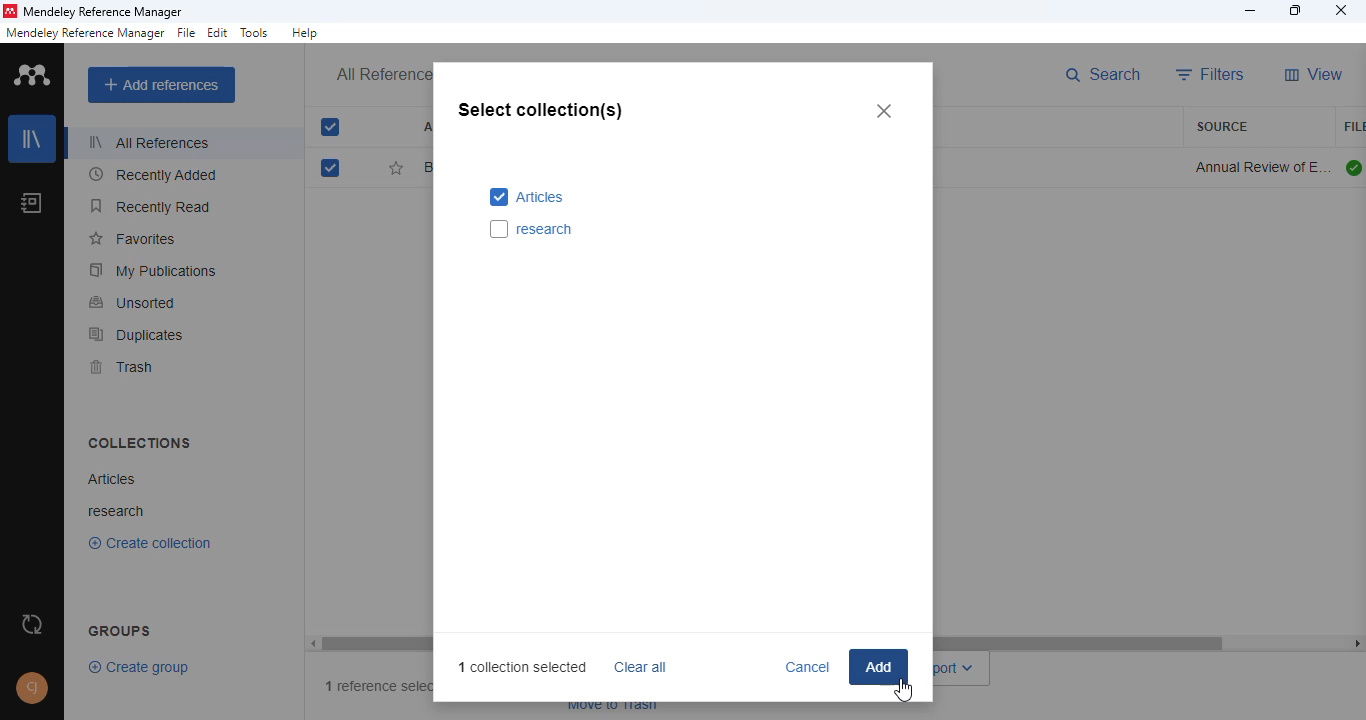  What do you see at coordinates (141, 443) in the screenshot?
I see `collections` at bounding box center [141, 443].